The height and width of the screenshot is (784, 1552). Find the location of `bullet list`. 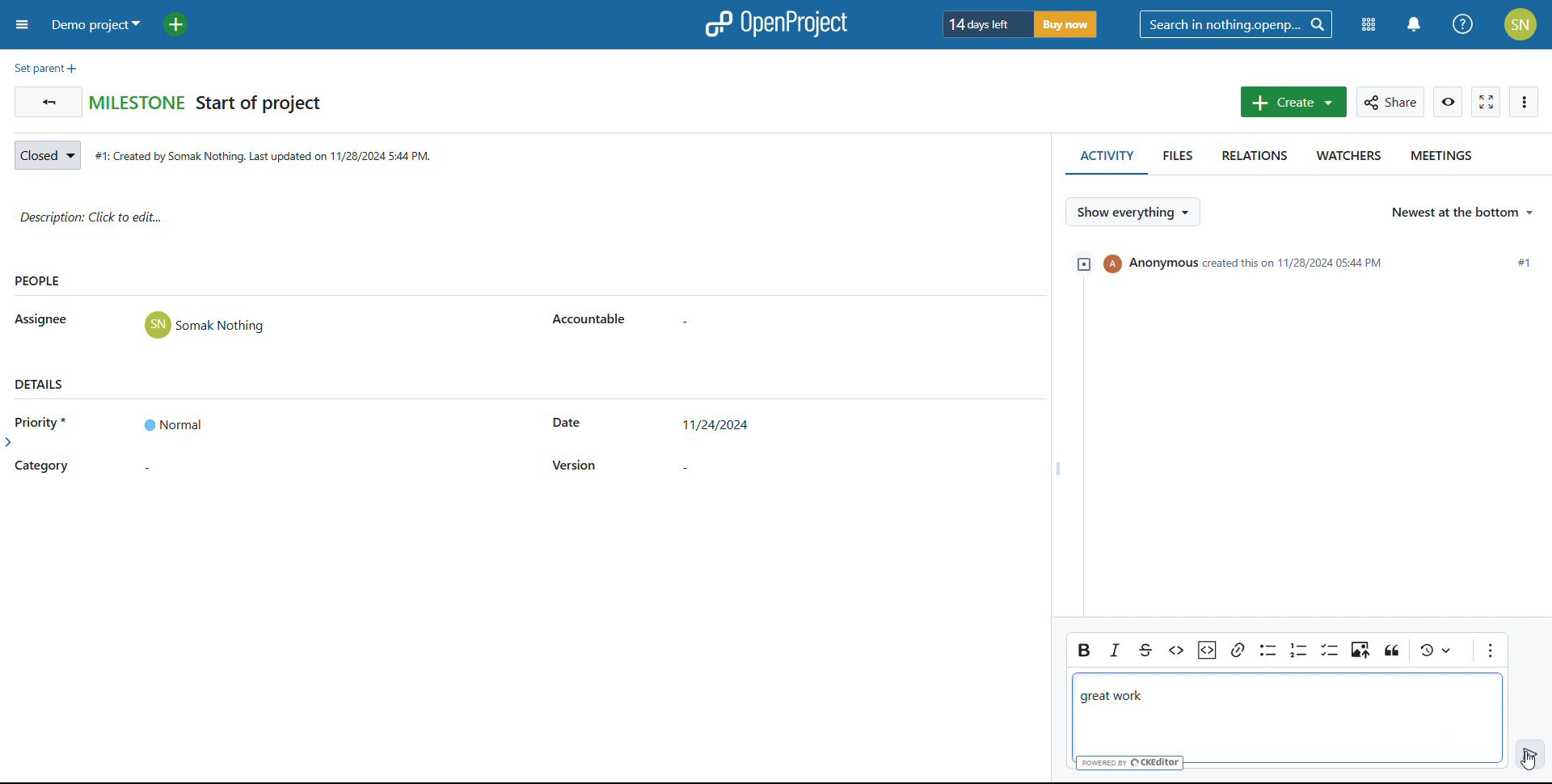

bullet list is located at coordinates (1267, 651).